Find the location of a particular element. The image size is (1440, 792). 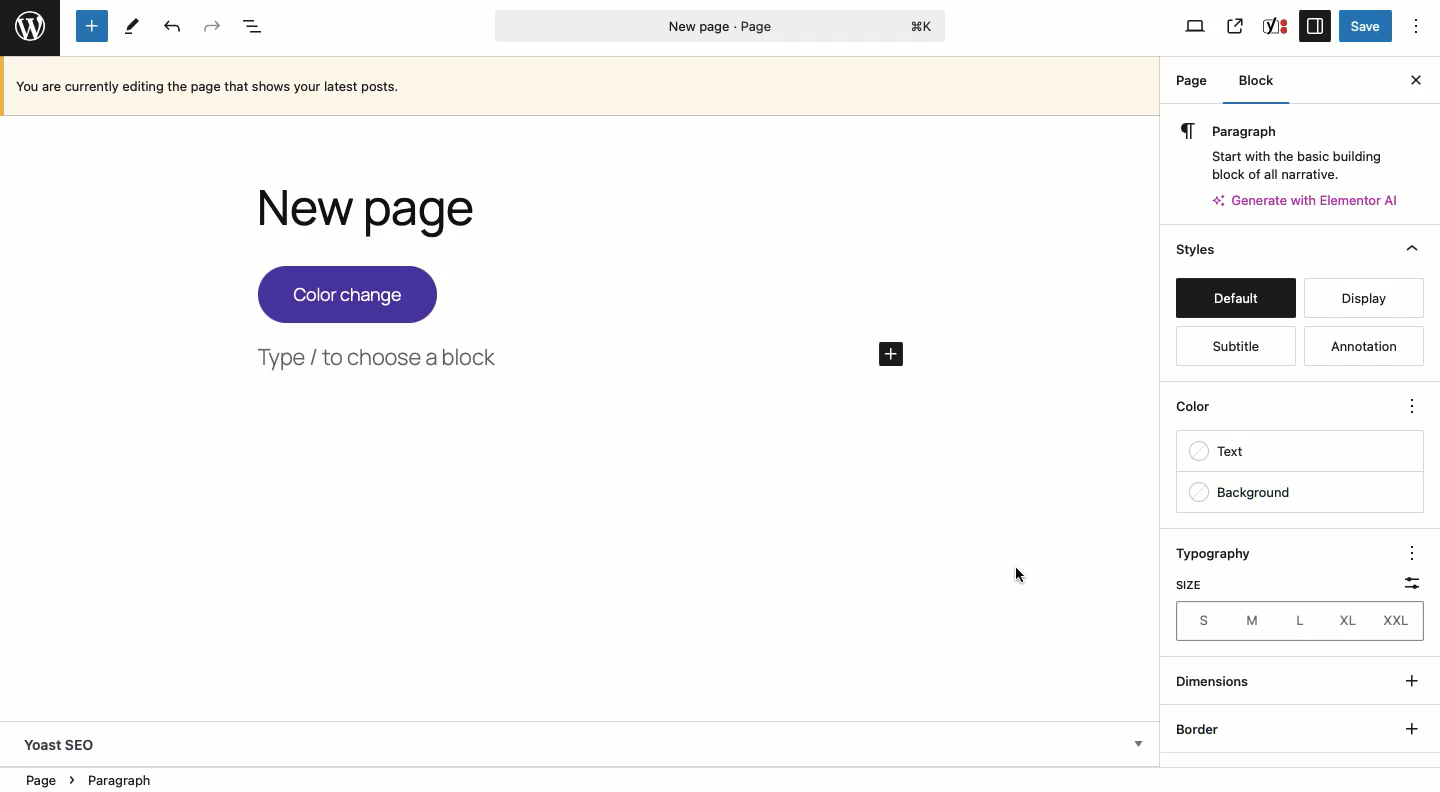

Size is located at coordinates (1194, 584).